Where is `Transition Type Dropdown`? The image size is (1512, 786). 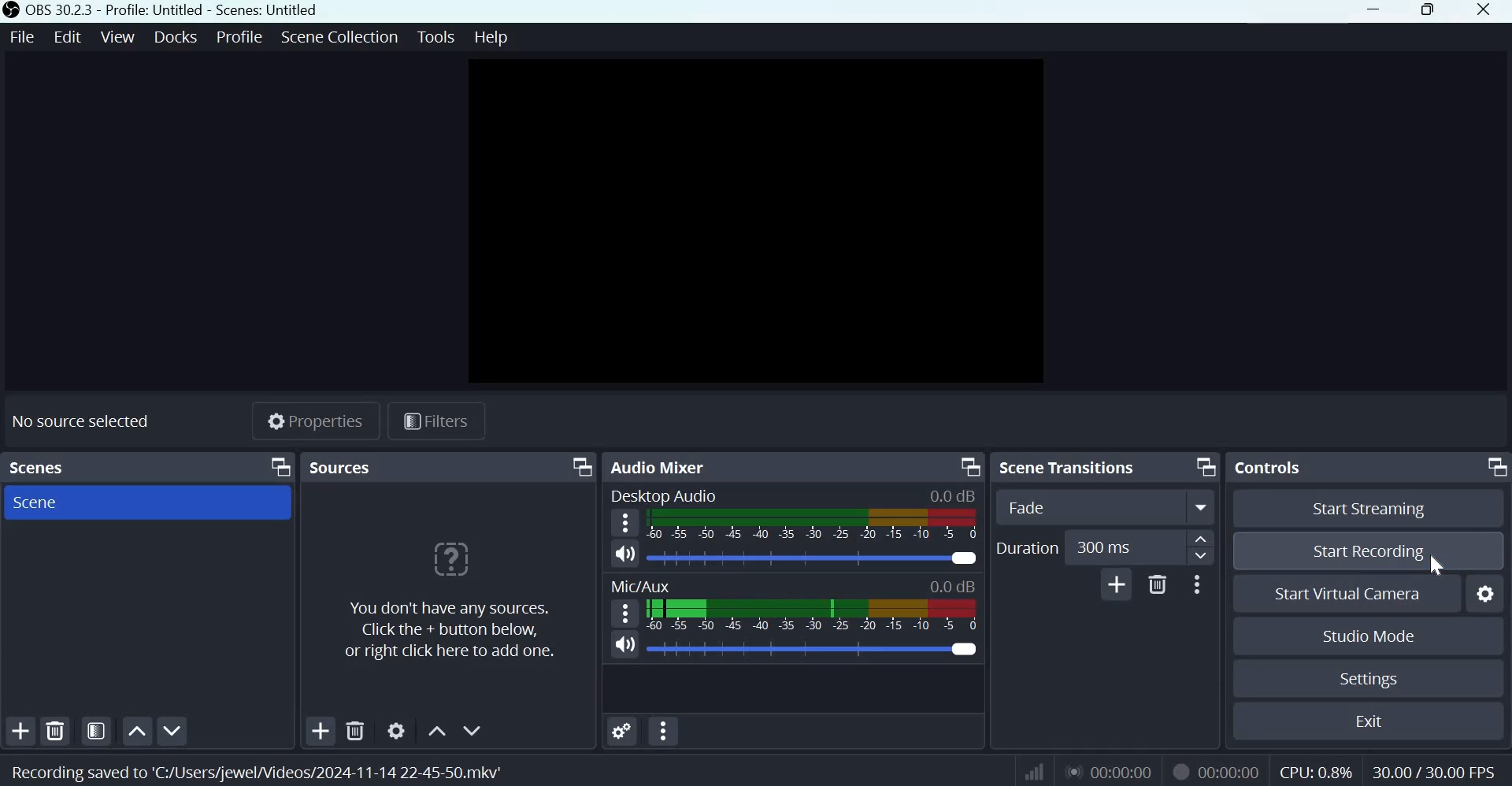
Transition Type Dropdown is located at coordinates (1091, 510).